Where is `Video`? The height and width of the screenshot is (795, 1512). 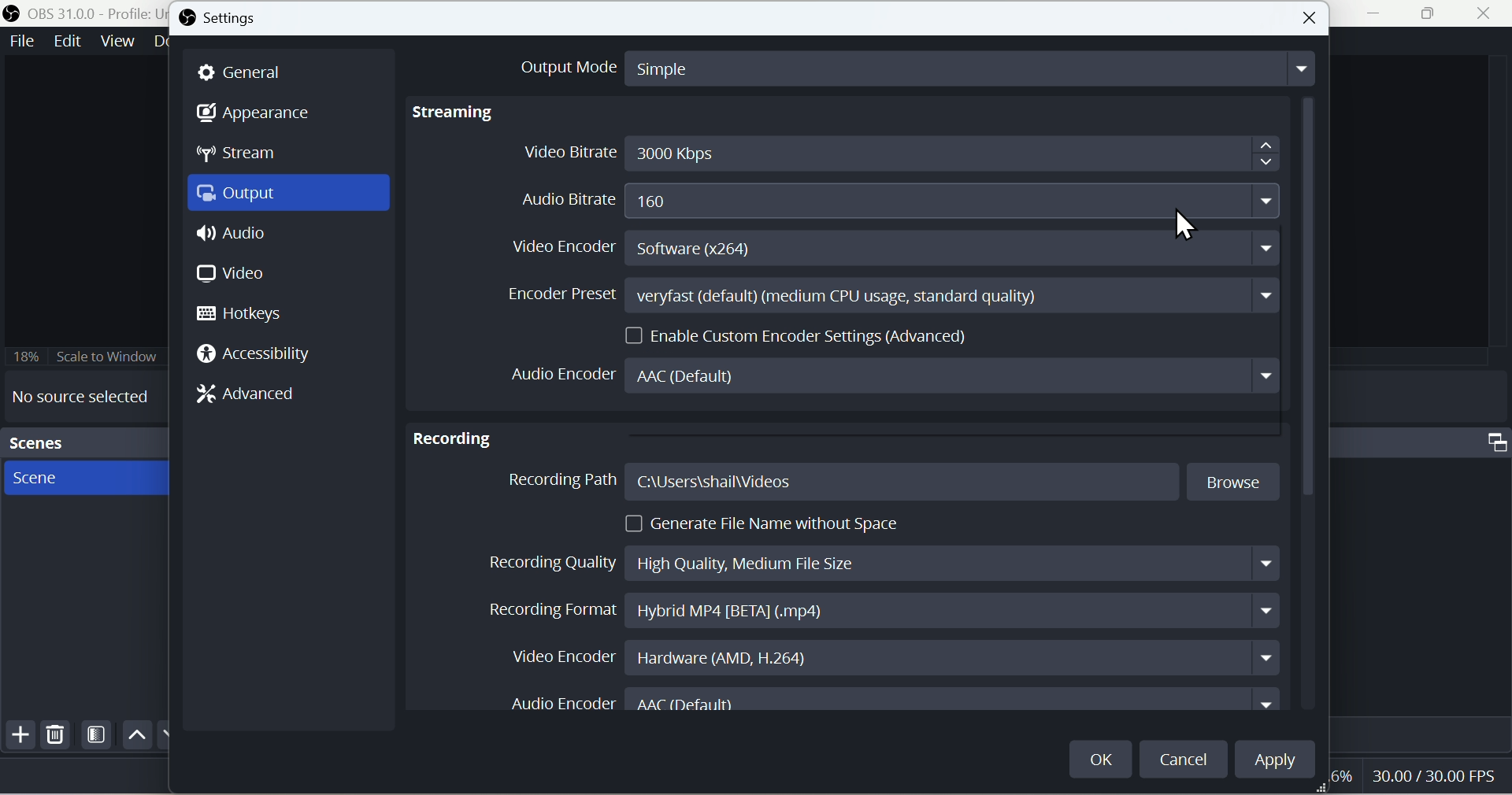
Video is located at coordinates (232, 273).